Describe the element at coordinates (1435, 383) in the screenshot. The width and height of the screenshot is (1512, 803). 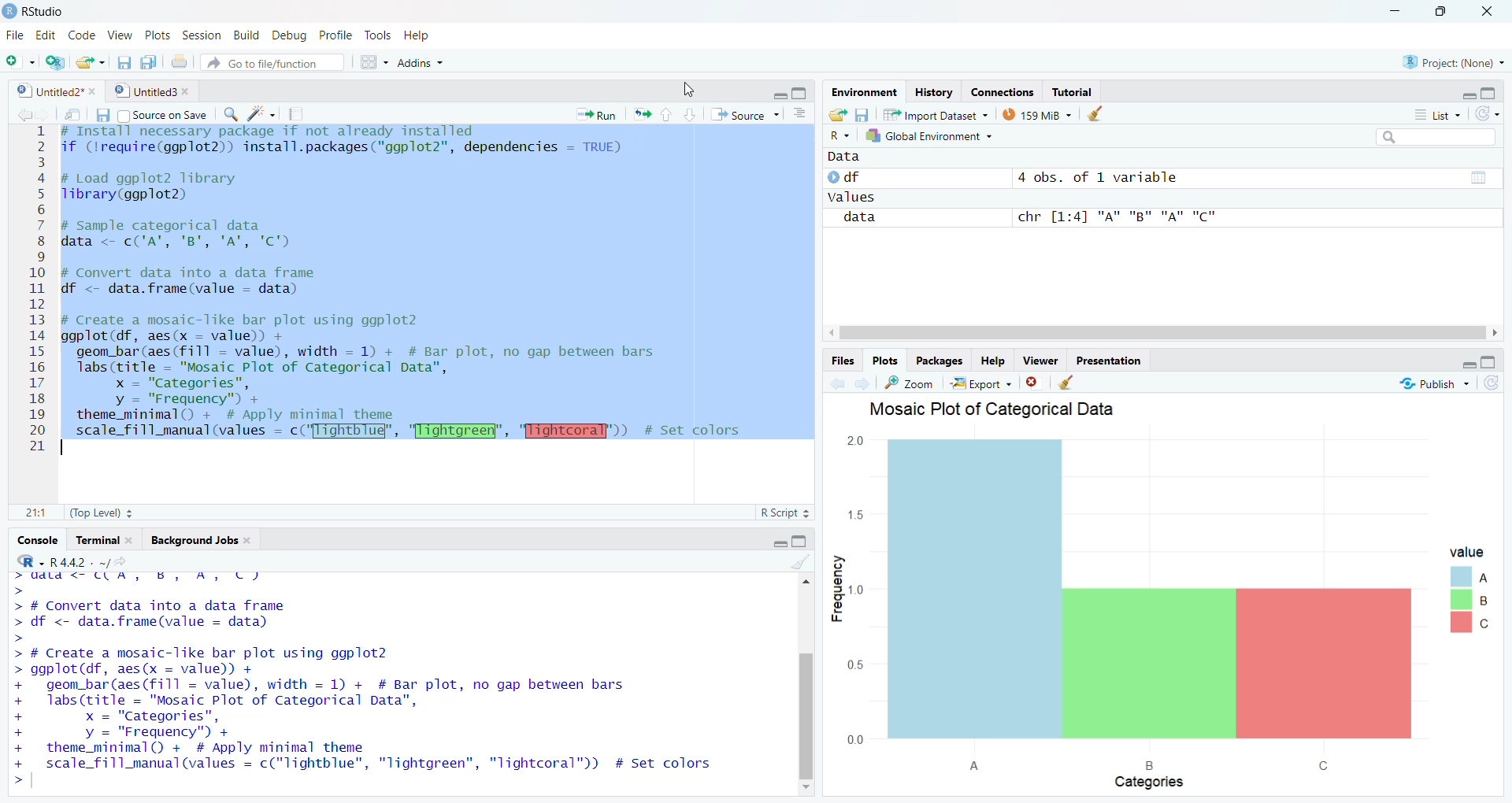
I see `Publish` at that location.